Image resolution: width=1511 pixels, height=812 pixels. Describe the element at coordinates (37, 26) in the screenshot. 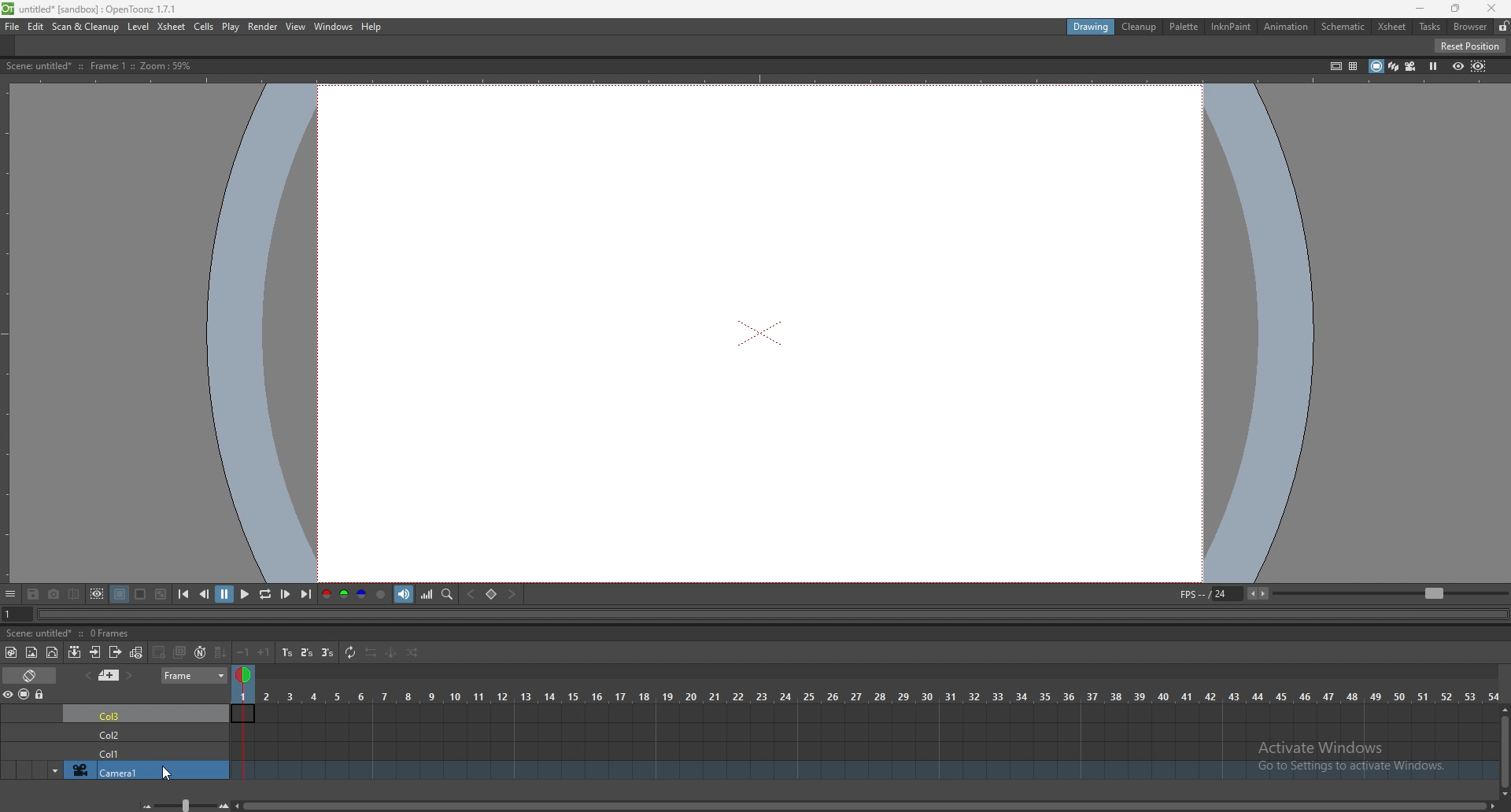

I see `edit` at that location.